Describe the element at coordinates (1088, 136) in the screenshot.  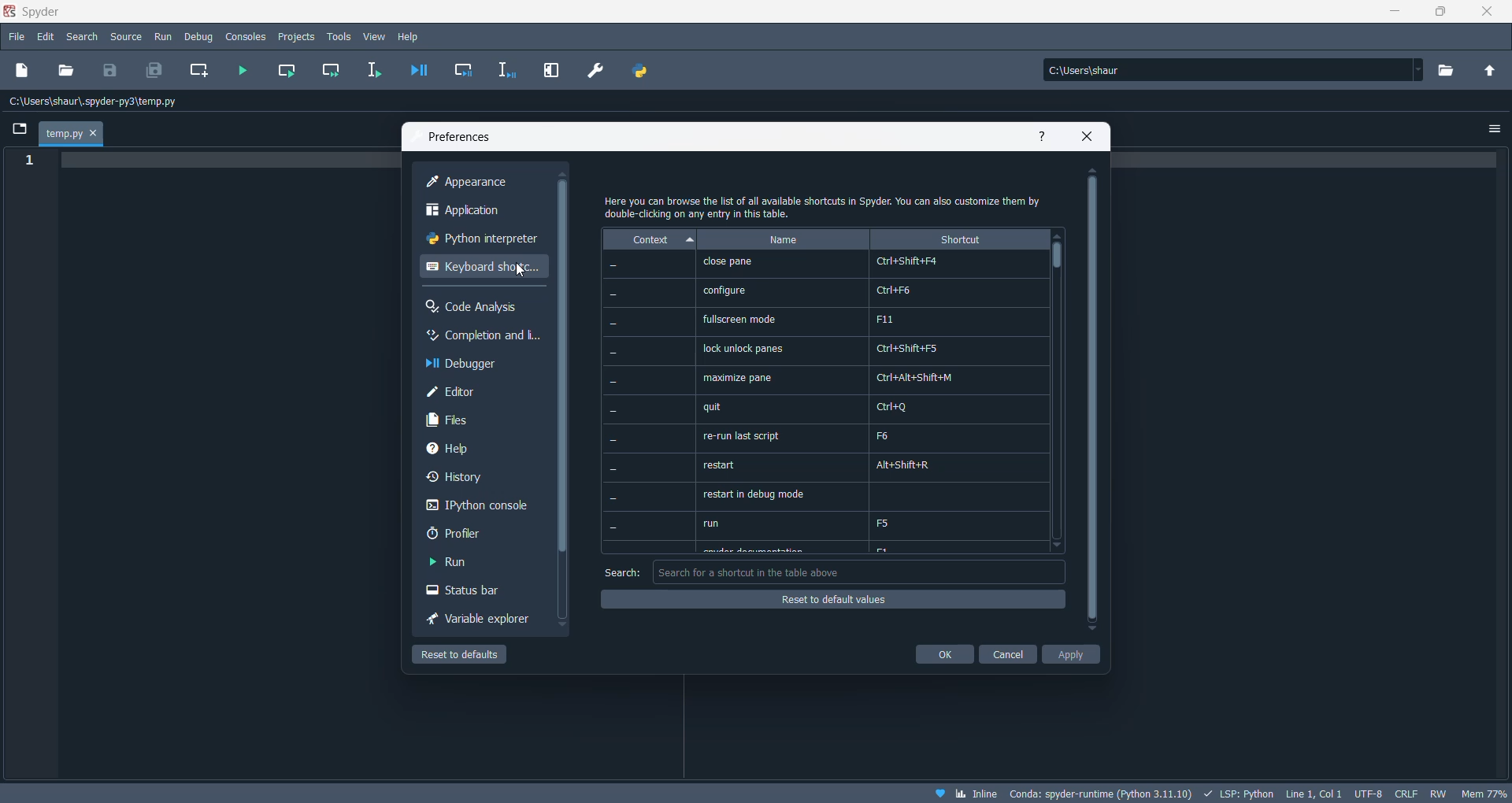
I see `close` at that location.